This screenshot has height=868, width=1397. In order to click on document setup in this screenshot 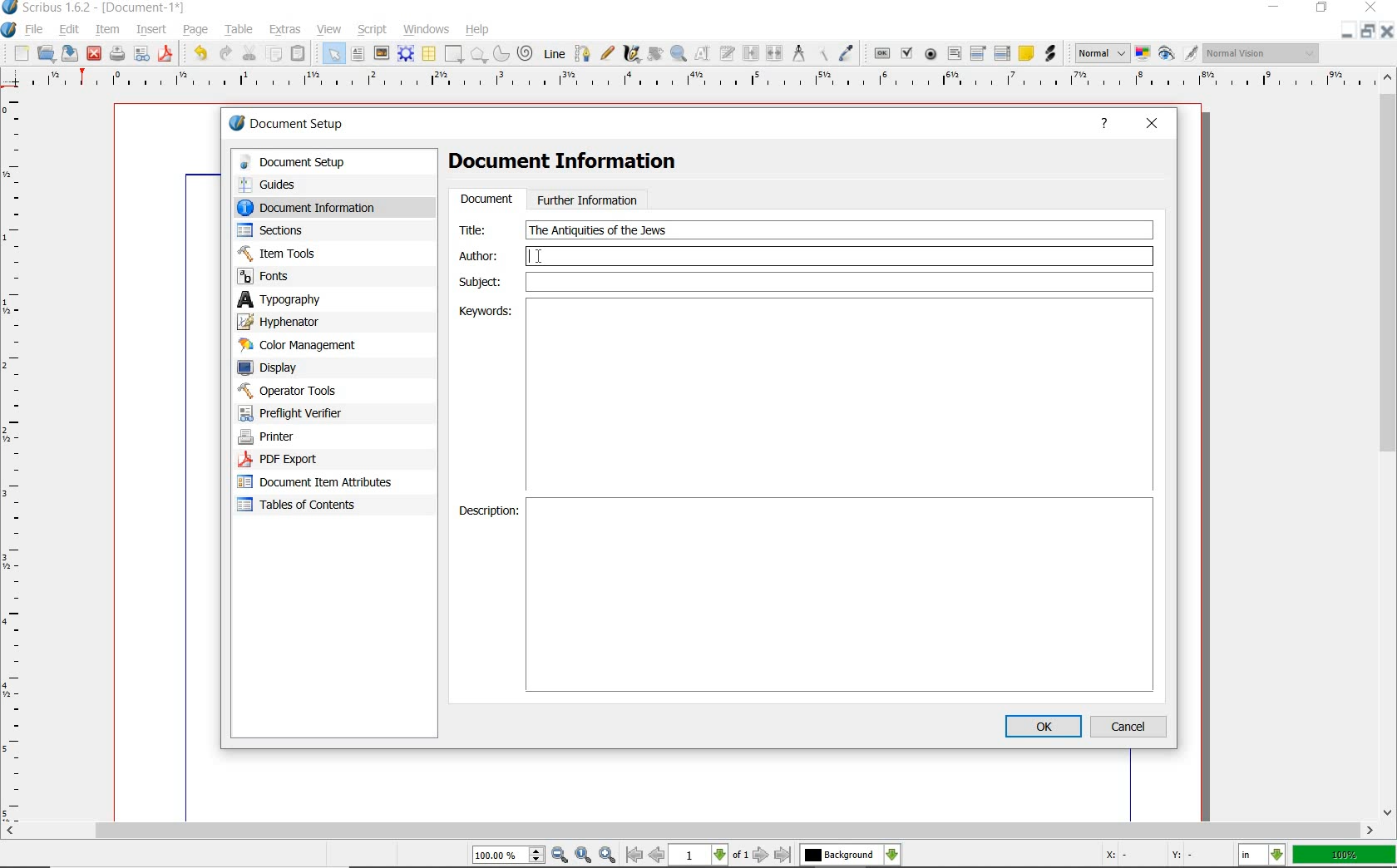, I will do `click(288, 123)`.